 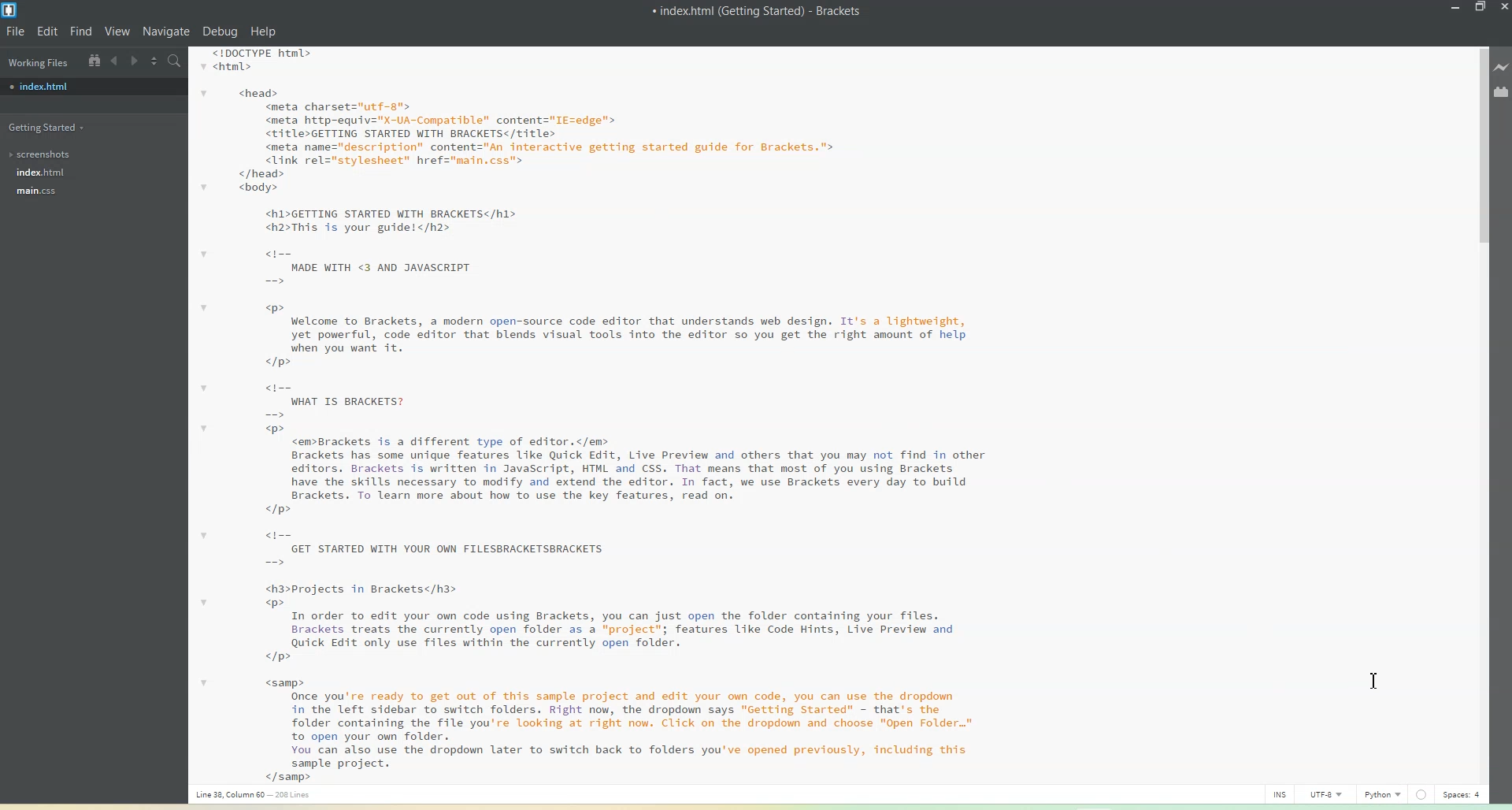 I want to click on Line, column, so click(x=254, y=796).